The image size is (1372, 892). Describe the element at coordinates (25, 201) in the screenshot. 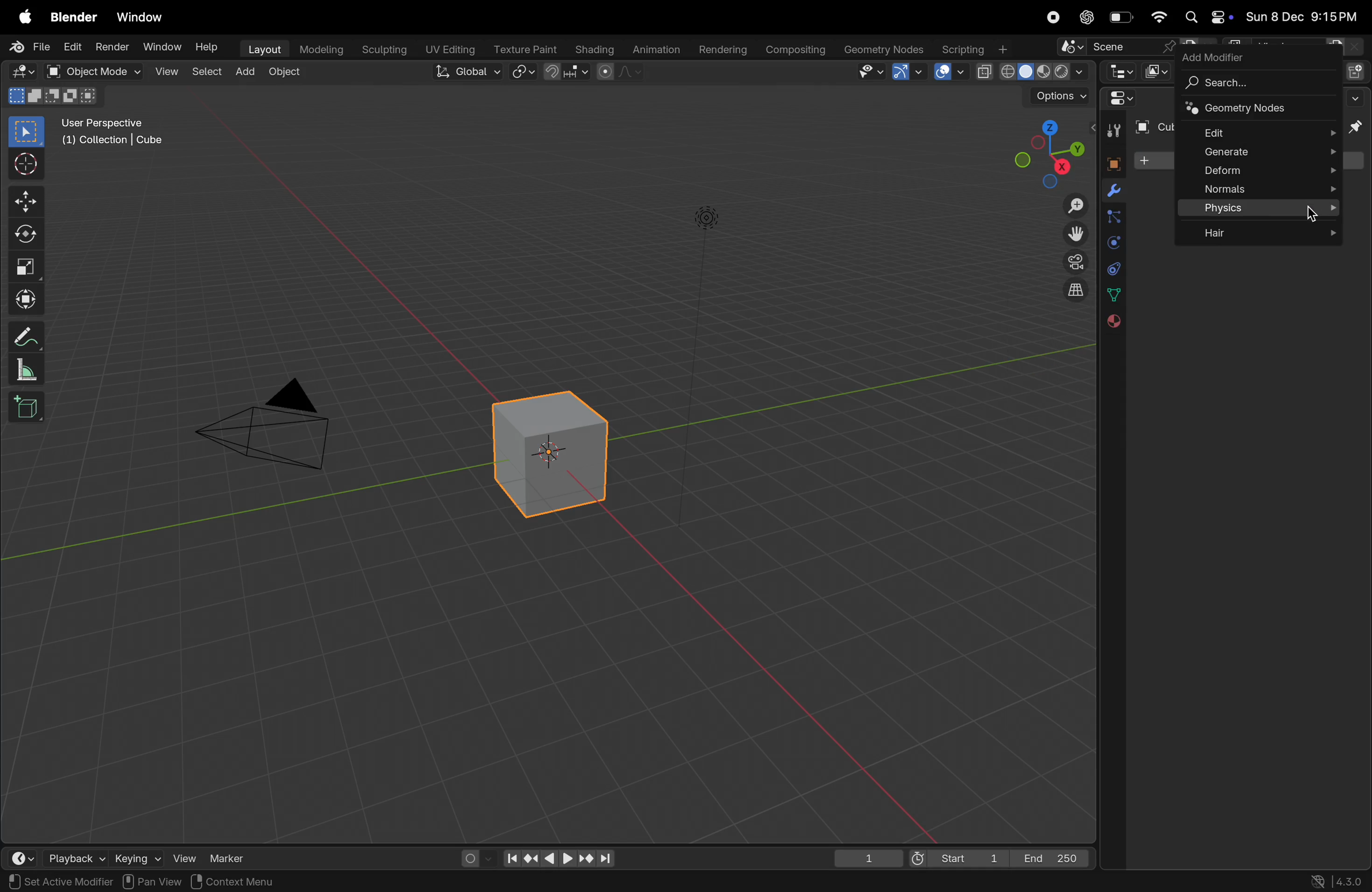

I see `move` at that location.